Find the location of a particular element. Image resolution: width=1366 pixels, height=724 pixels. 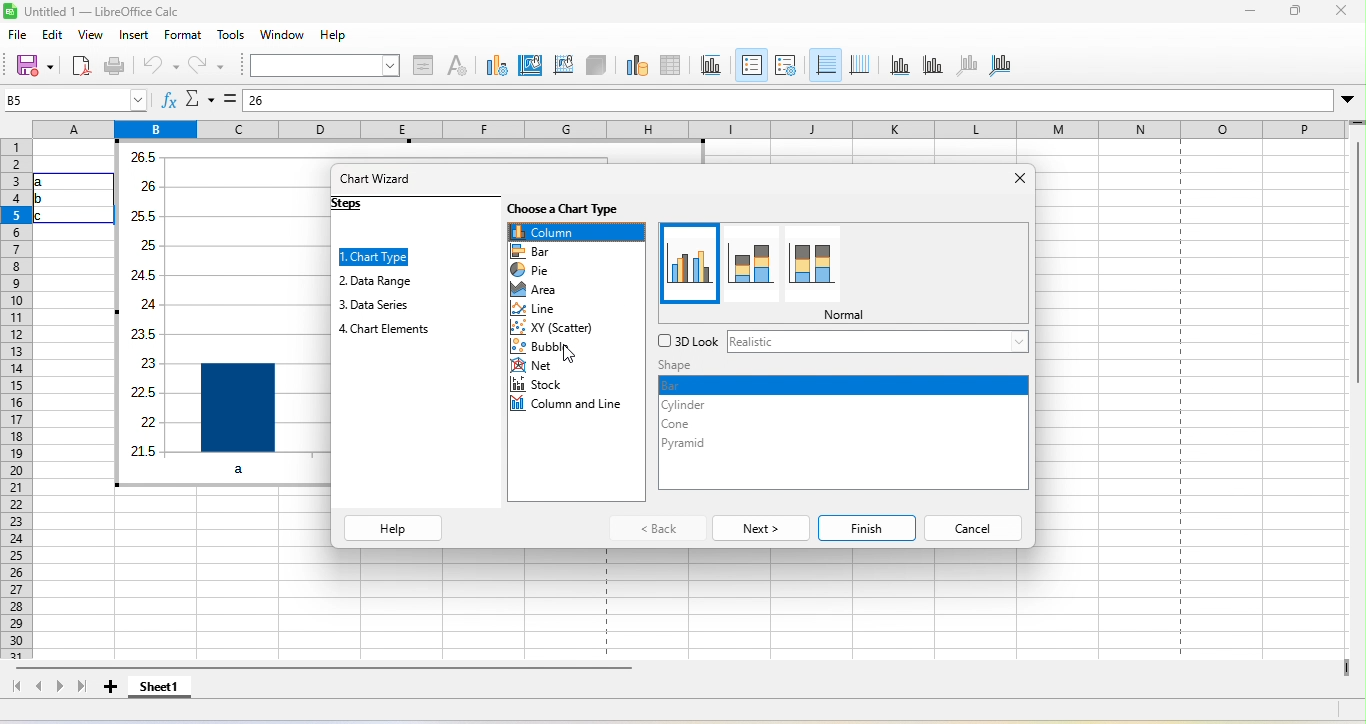

data range is located at coordinates (635, 65).